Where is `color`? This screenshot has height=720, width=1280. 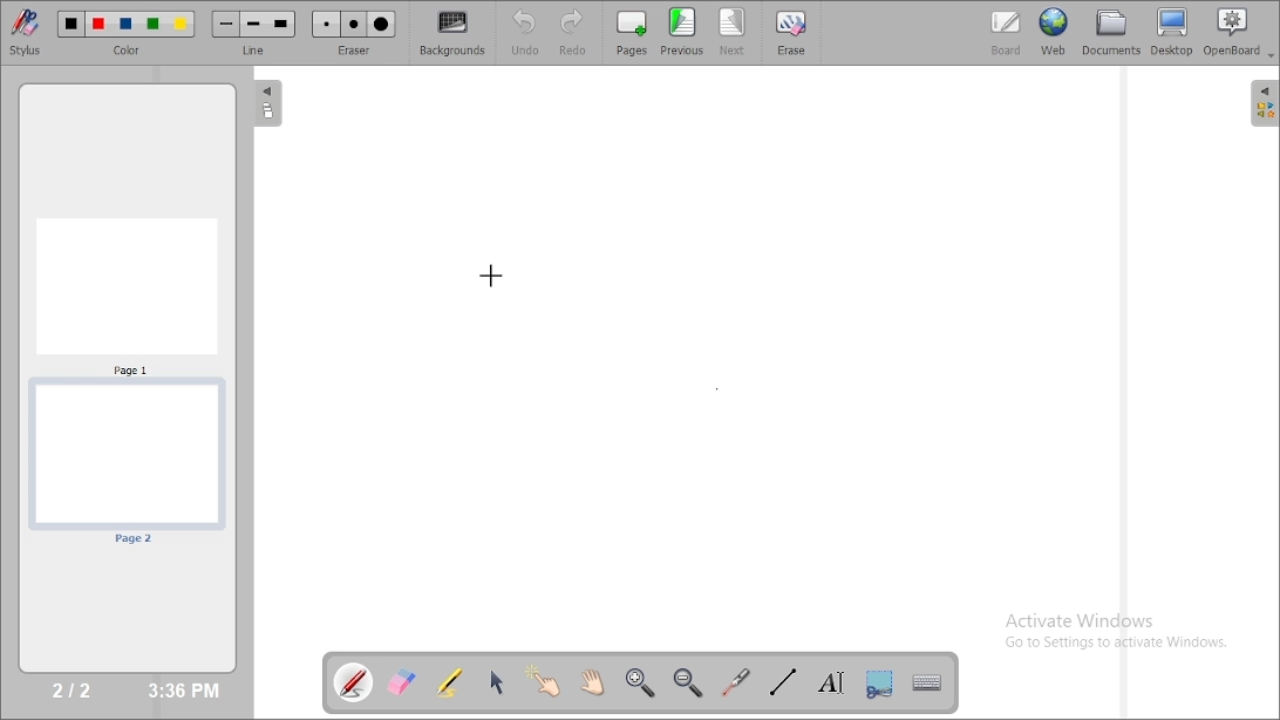 color is located at coordinates (130, 51).